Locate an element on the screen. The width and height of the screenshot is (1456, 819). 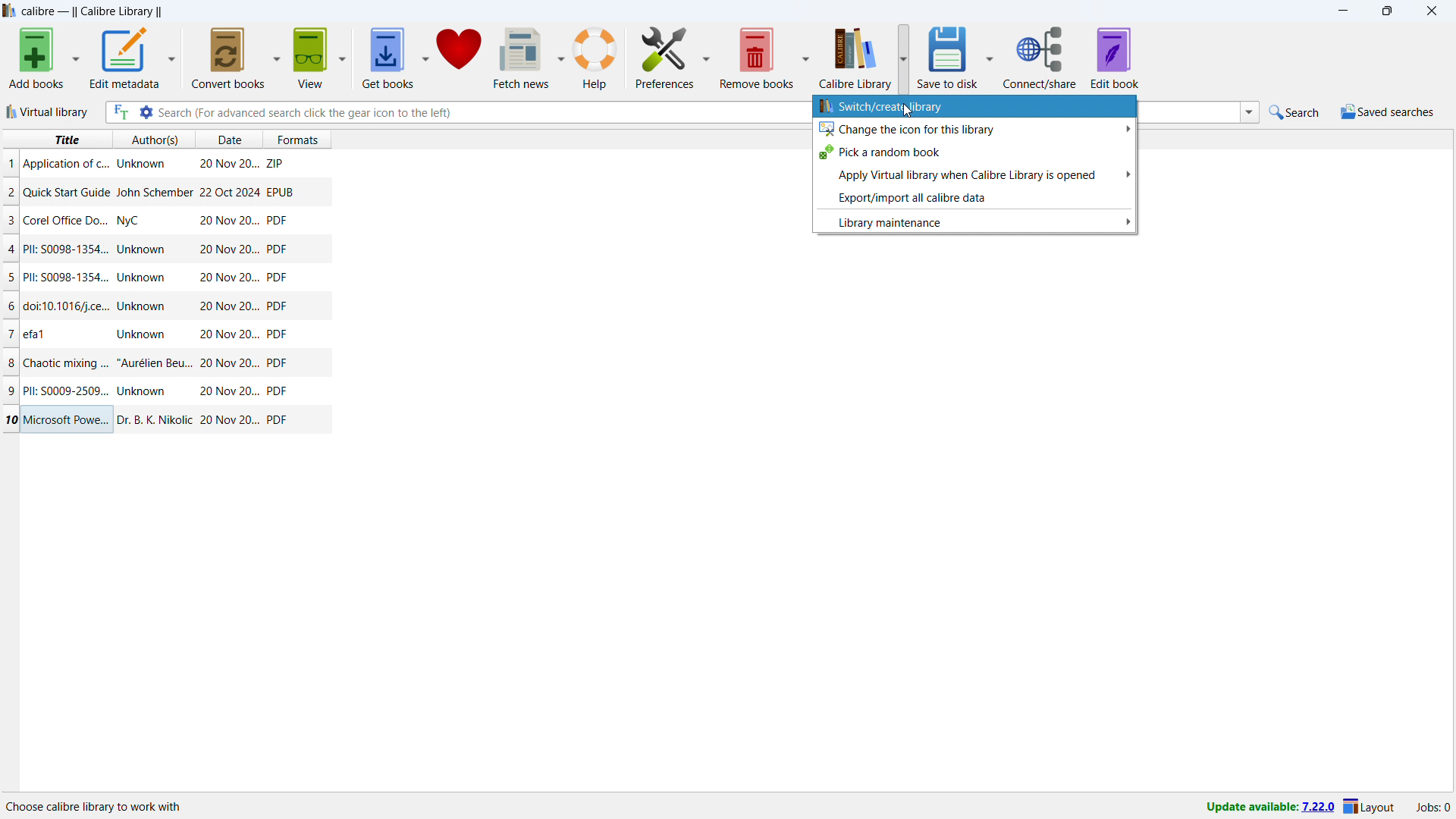
Date is located at coordinates (227, 307).